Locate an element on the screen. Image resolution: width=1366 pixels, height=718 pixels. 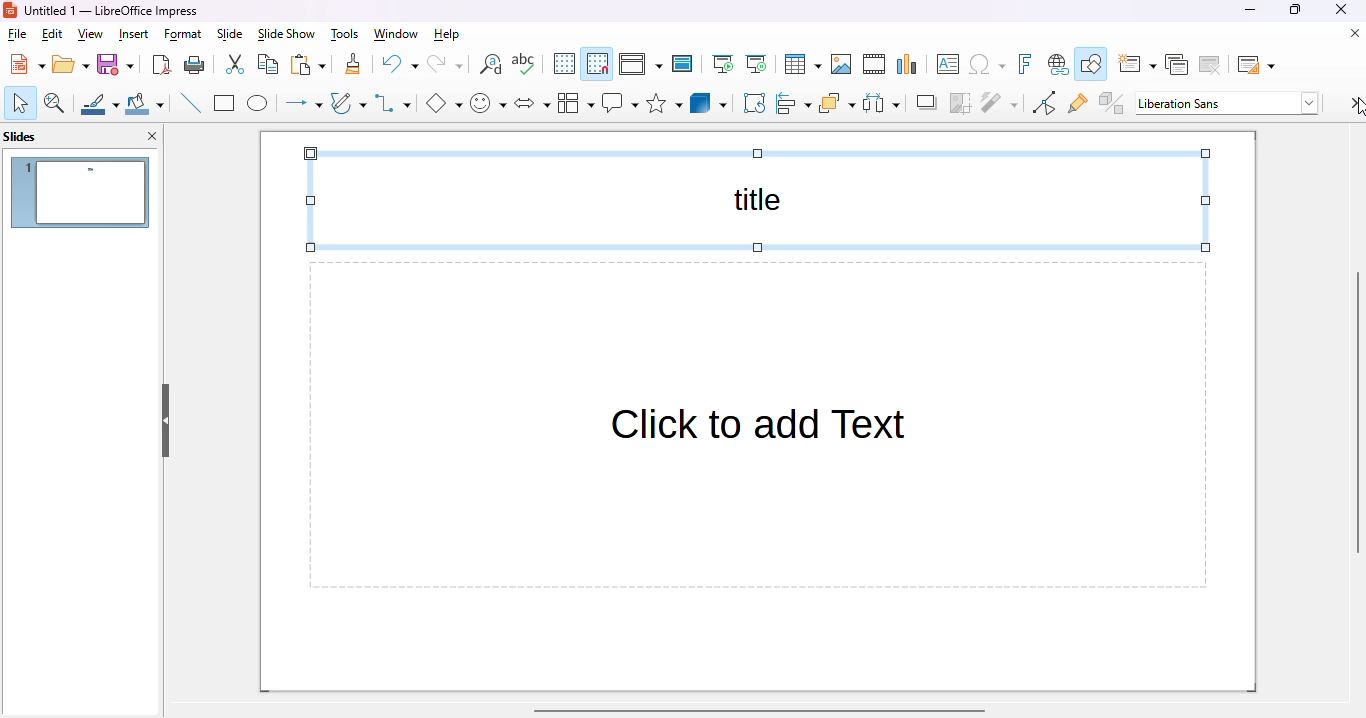
rotate is located at coordinates (755, 103).